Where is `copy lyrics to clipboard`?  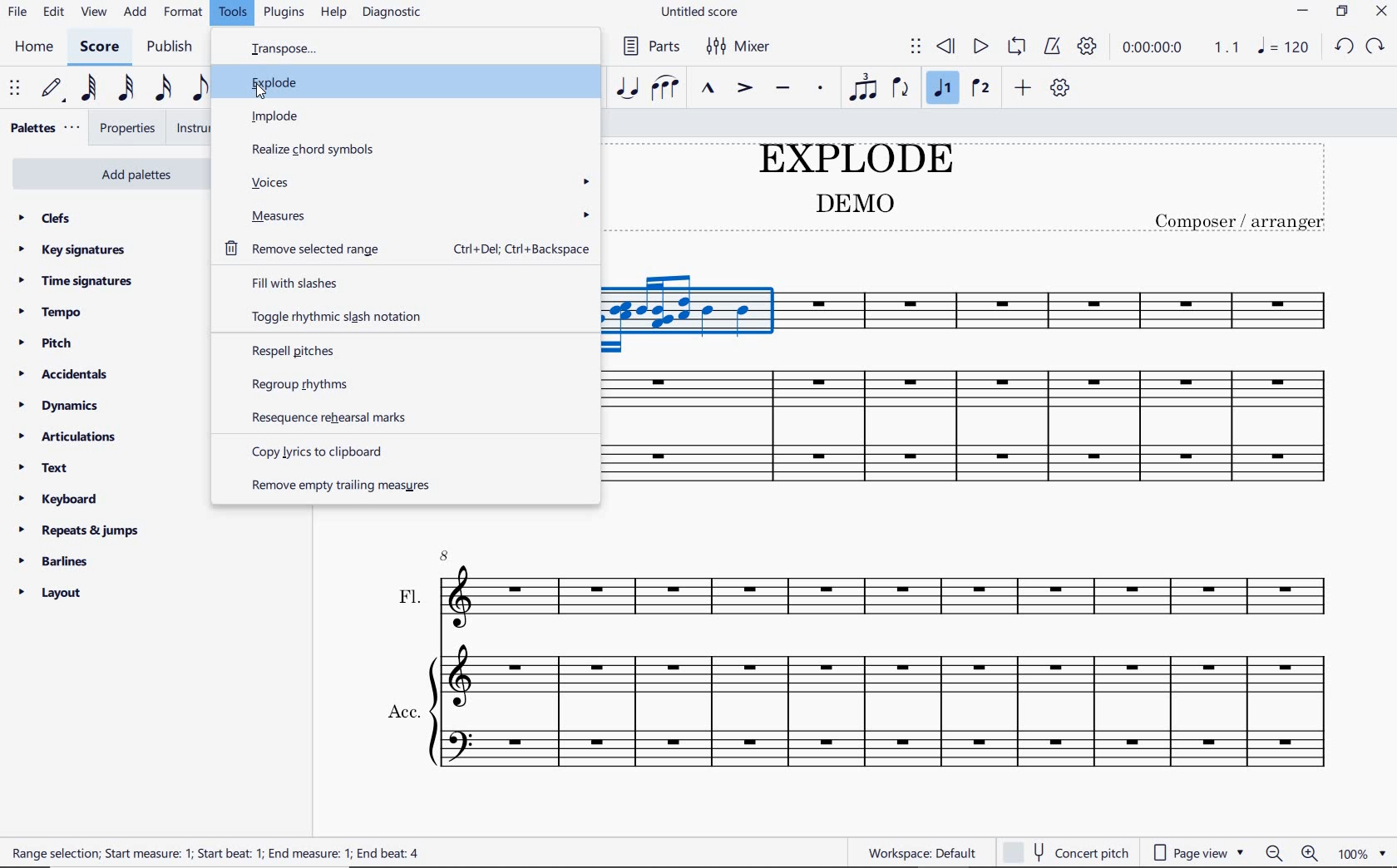
copy lyrics to clipboard is located at coordinates (327, 451).